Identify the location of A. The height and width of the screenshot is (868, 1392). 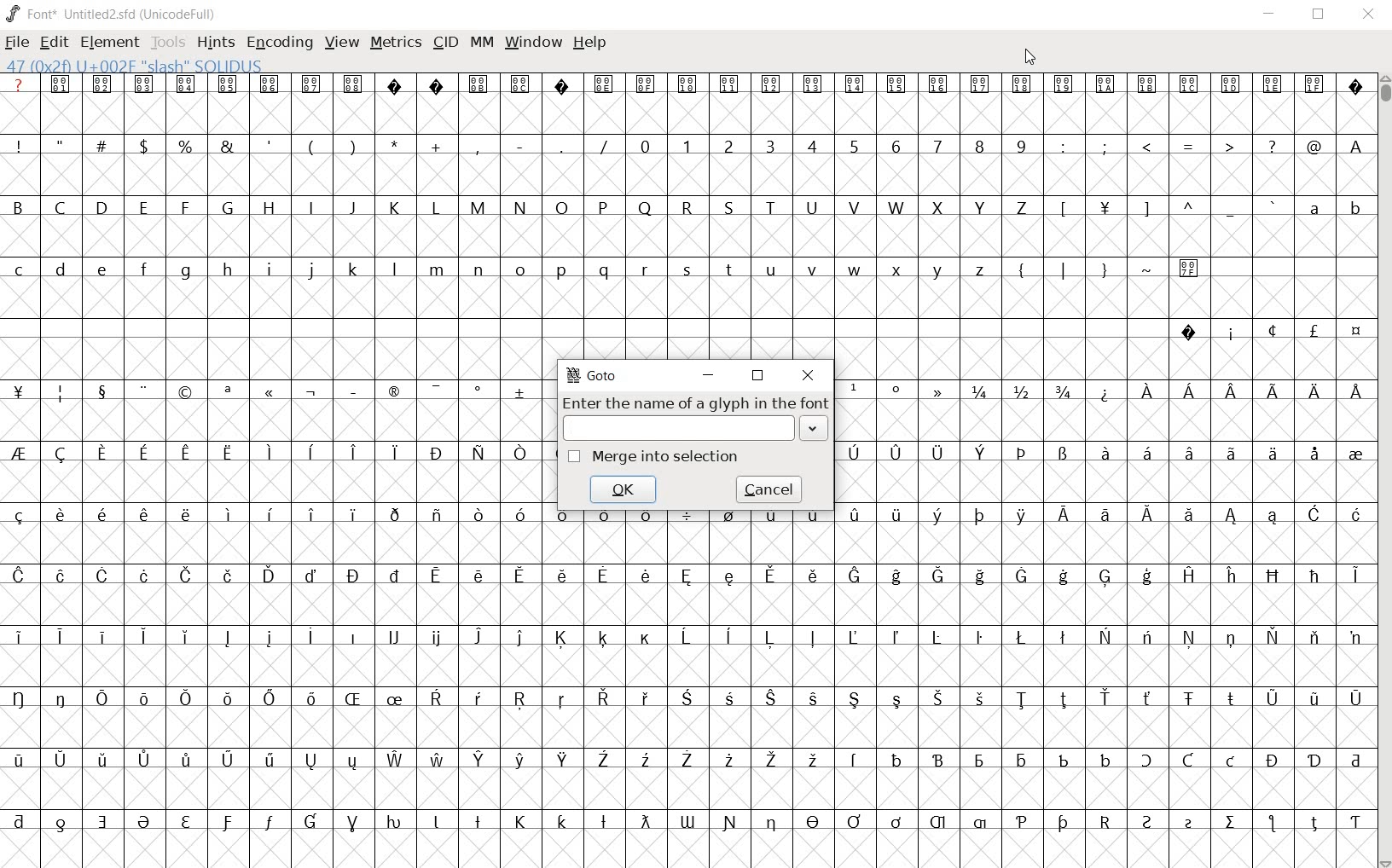
(1353, 146).